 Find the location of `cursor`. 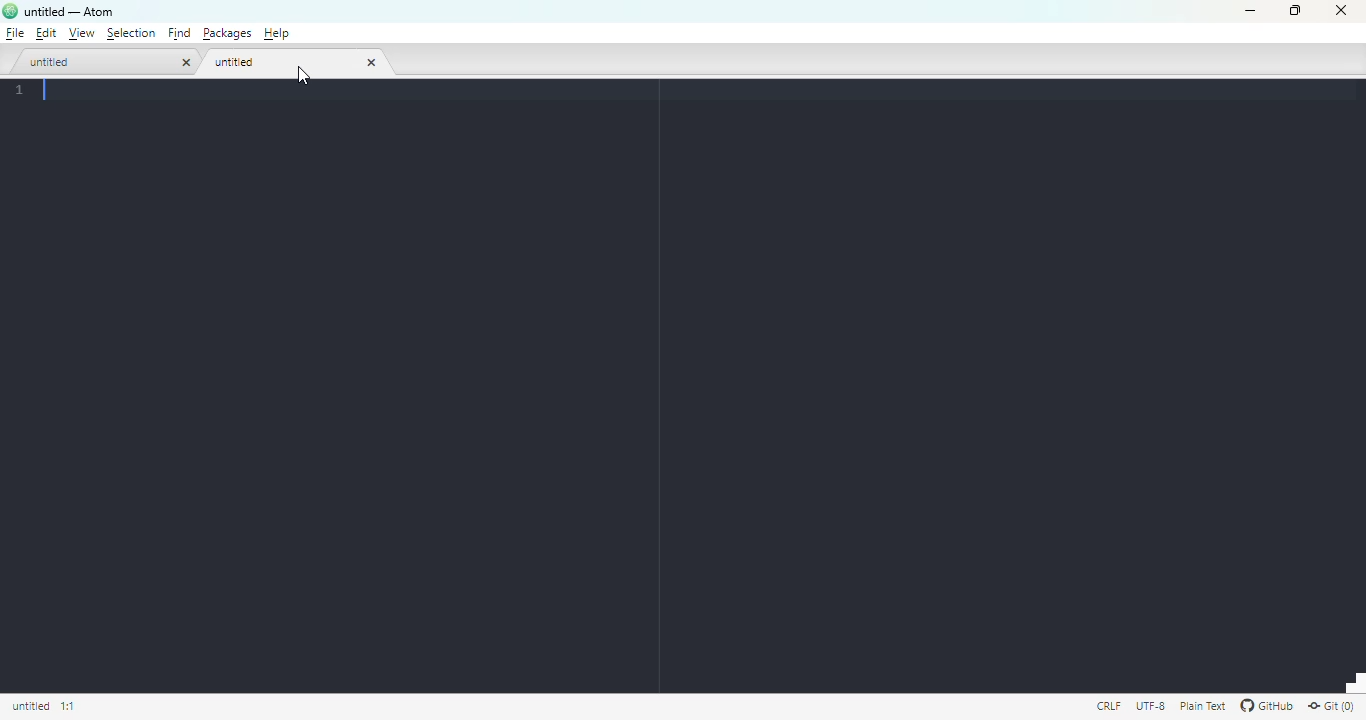

cursor is located at coordinates (304, 76).